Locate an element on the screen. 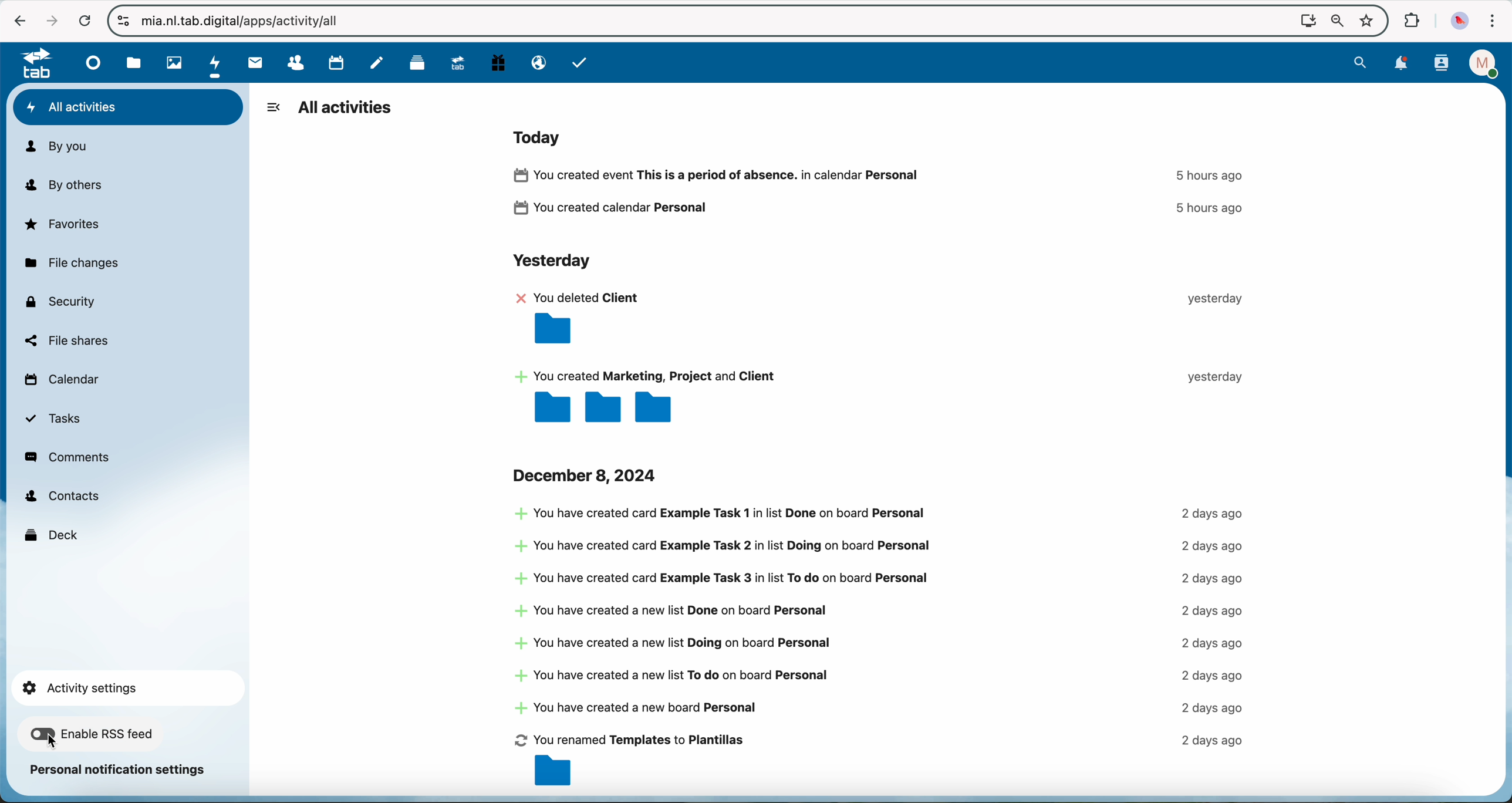  contacts is located at coordinates (62, 497).